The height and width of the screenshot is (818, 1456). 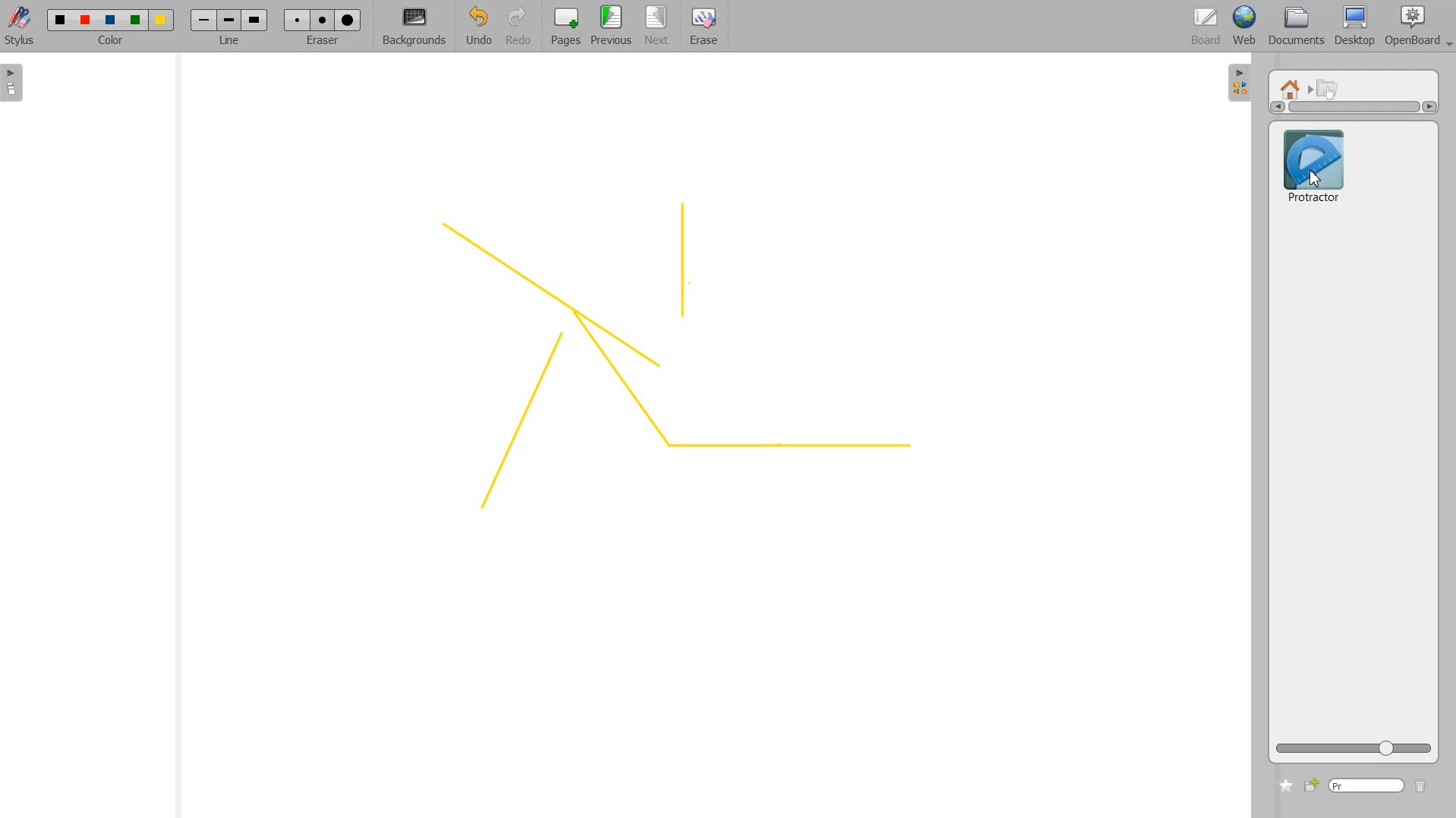 I want to click on Erase, so click(x=703, y=27).